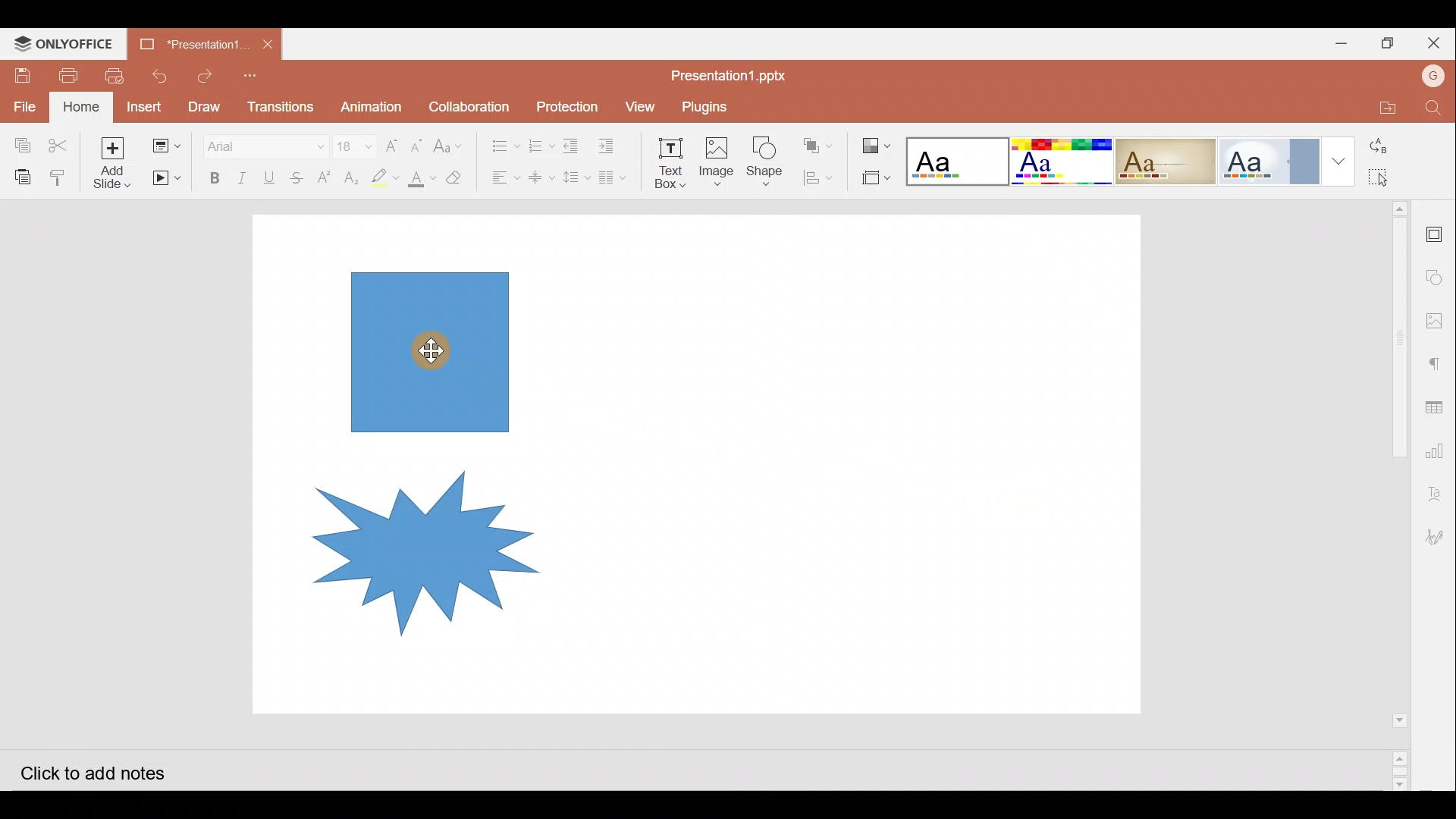 The image size is (1456, 819). I want to click on Transitions, so click(279, 103).